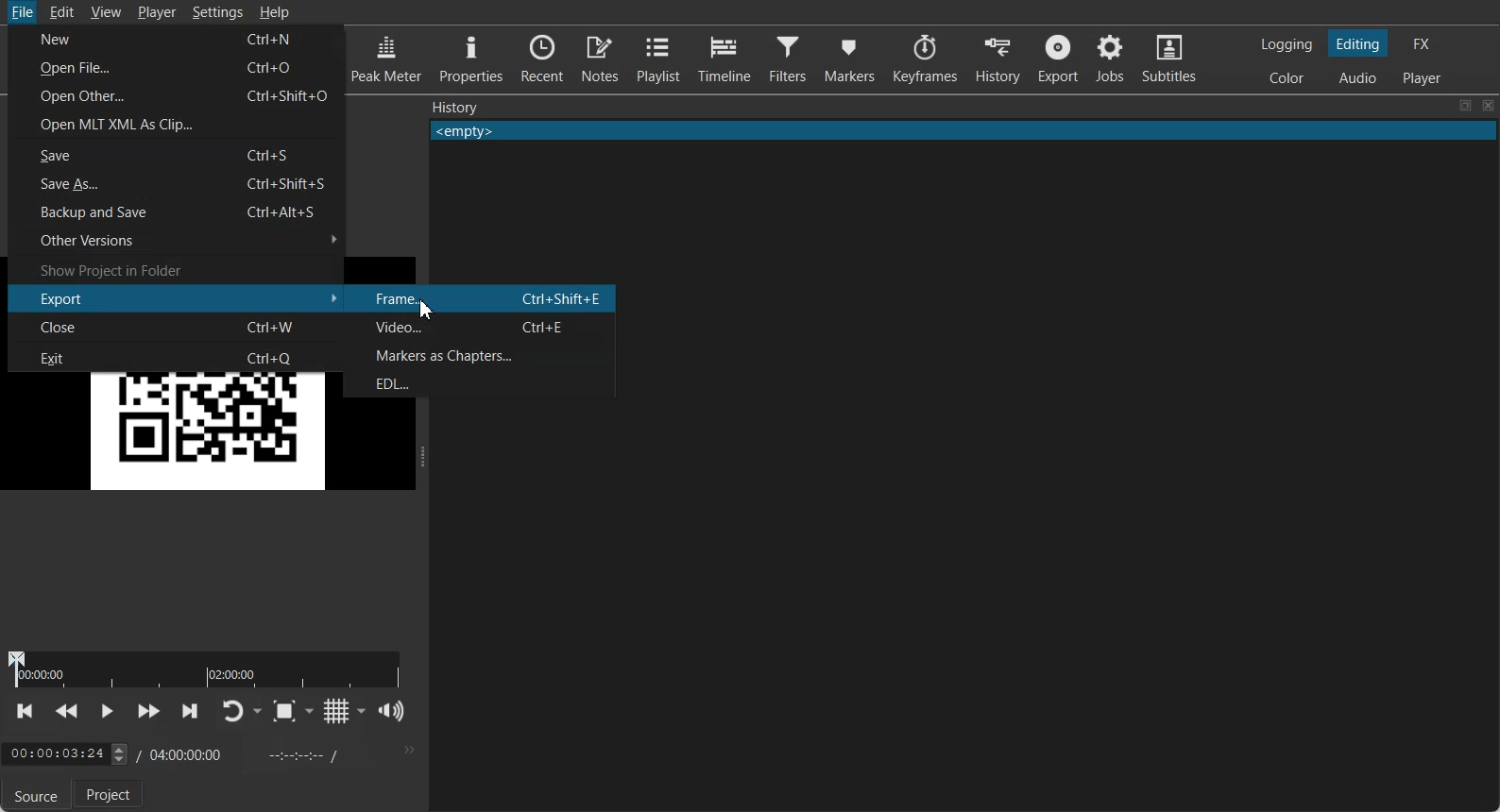  I want to click on In point, so click(299, 754).